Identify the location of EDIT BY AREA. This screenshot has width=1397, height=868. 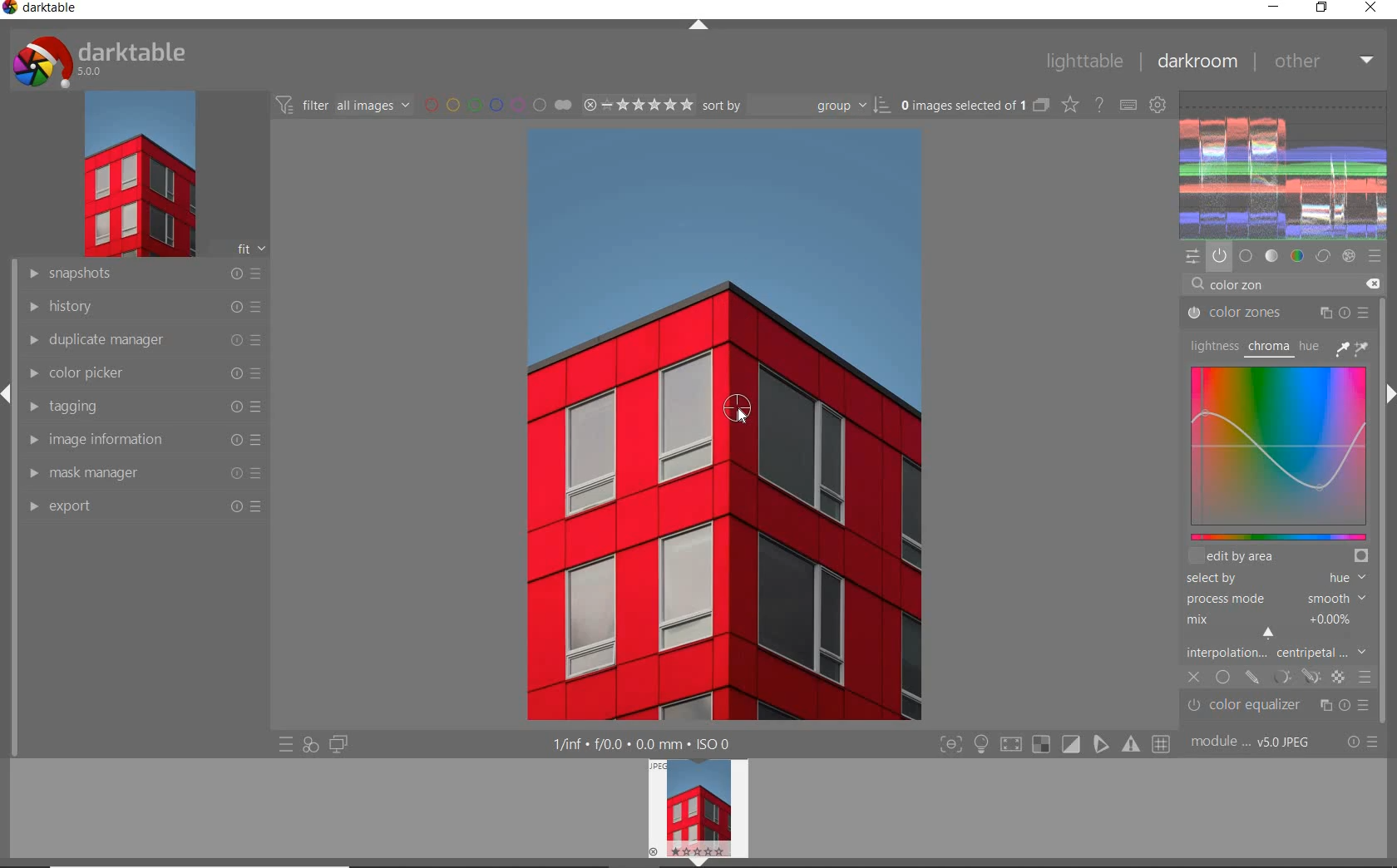
(1278, 557).